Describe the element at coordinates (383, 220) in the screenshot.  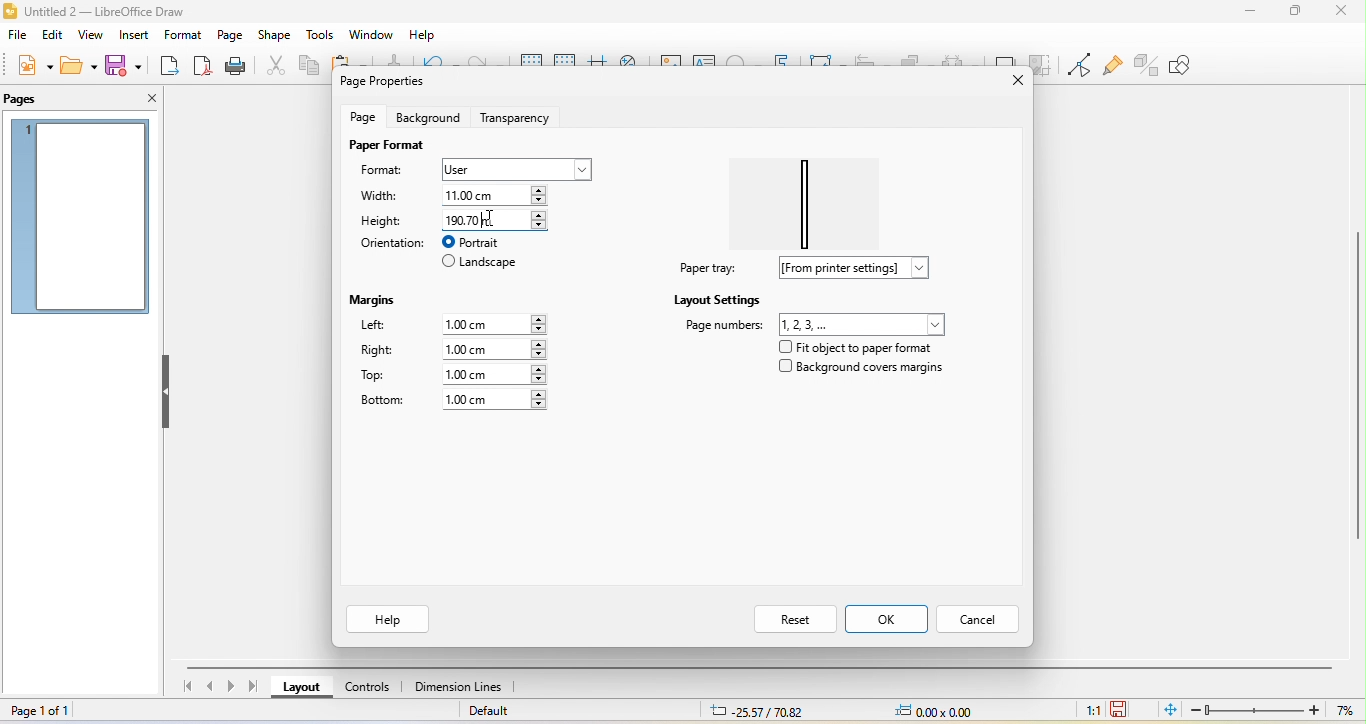
I see `height` at that location.